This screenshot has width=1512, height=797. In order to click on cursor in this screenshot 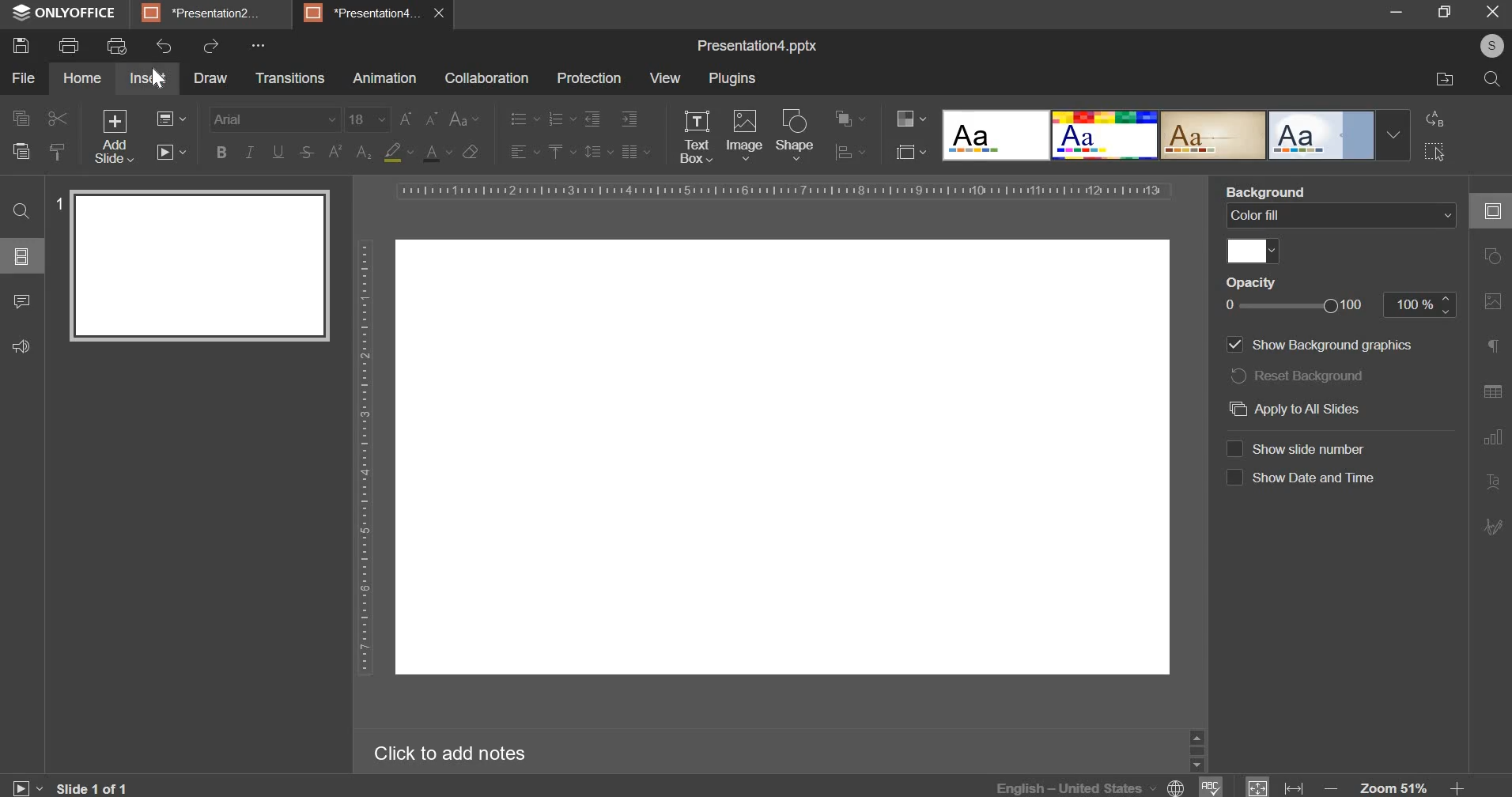, I will do `click(159, 79)`.